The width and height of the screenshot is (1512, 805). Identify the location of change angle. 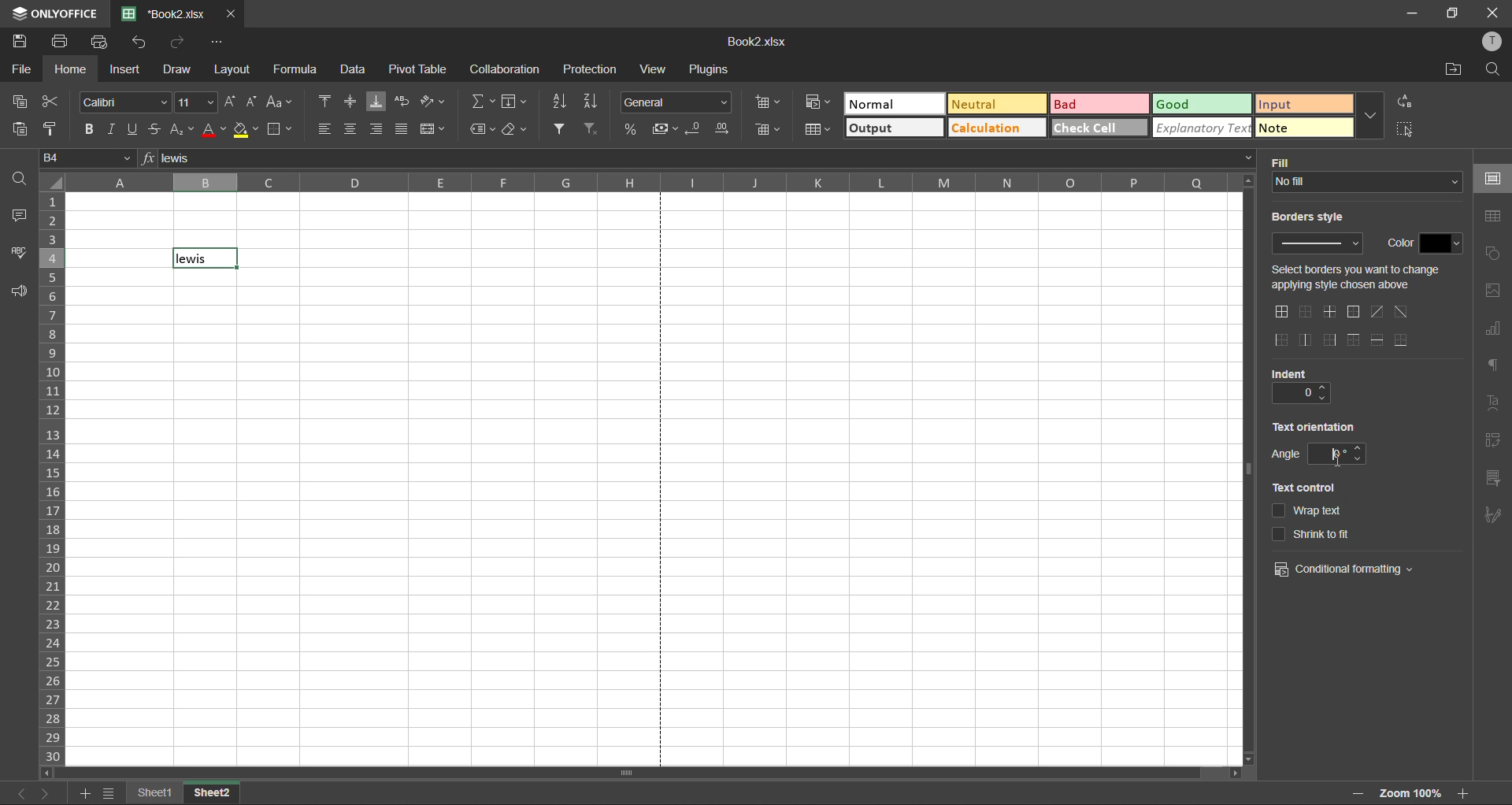
(1328, 453).